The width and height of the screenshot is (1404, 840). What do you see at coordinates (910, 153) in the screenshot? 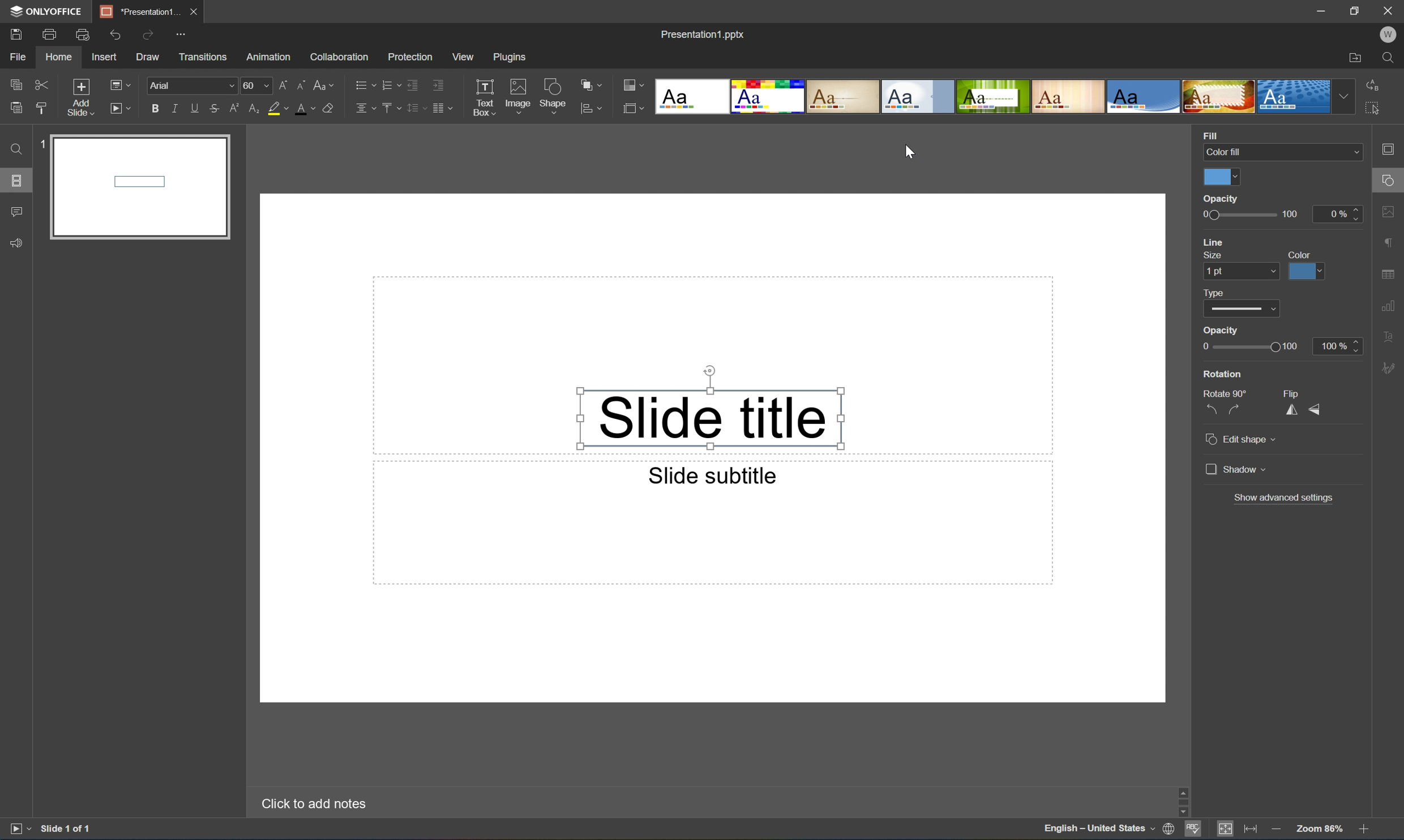
I see `Cursor` at bounding box center [910, 153].